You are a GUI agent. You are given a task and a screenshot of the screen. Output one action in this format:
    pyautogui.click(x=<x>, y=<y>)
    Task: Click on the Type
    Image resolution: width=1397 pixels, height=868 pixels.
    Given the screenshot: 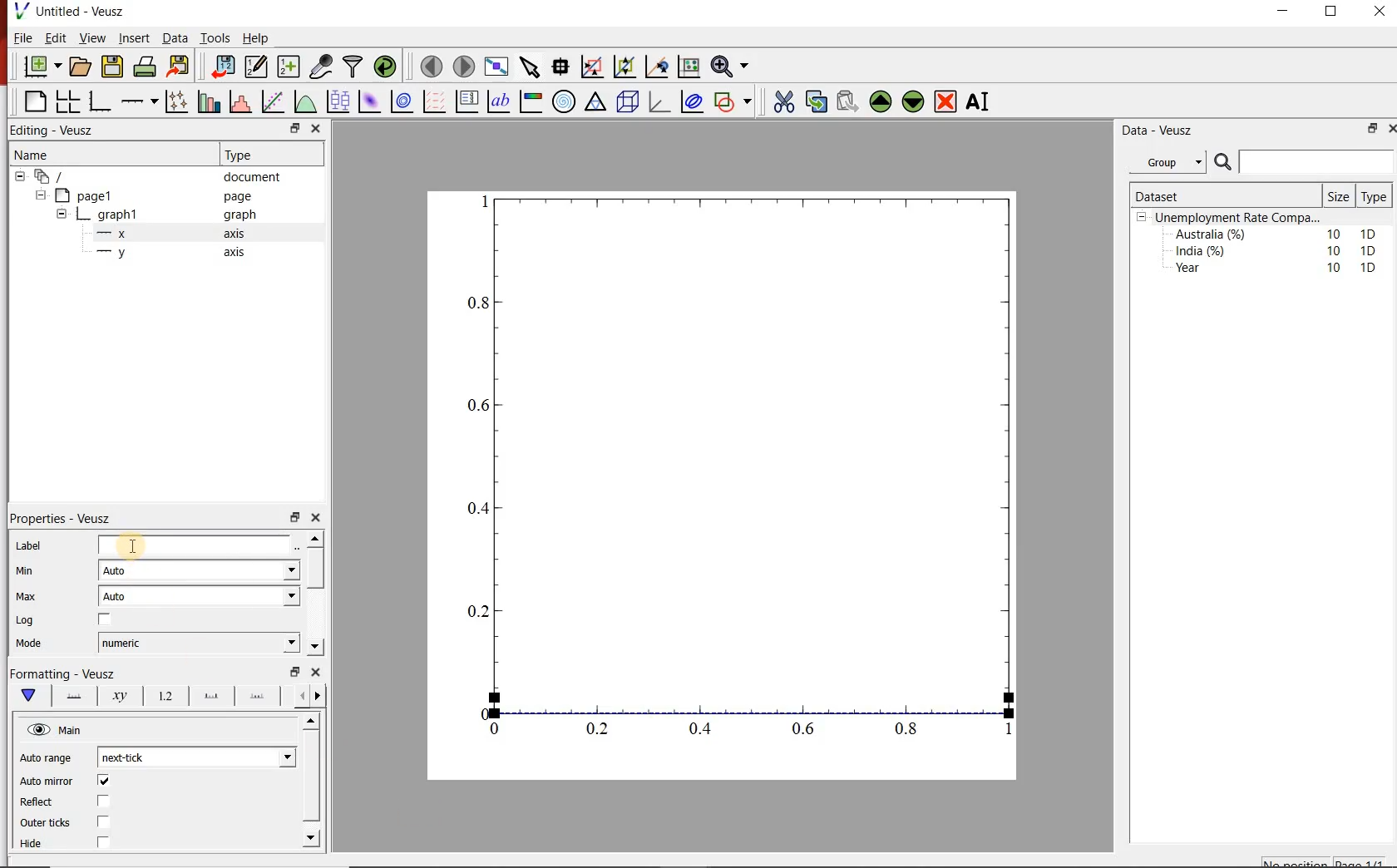 What is the action you would take?
    pyautogui.click(x=1373, y=197)
    